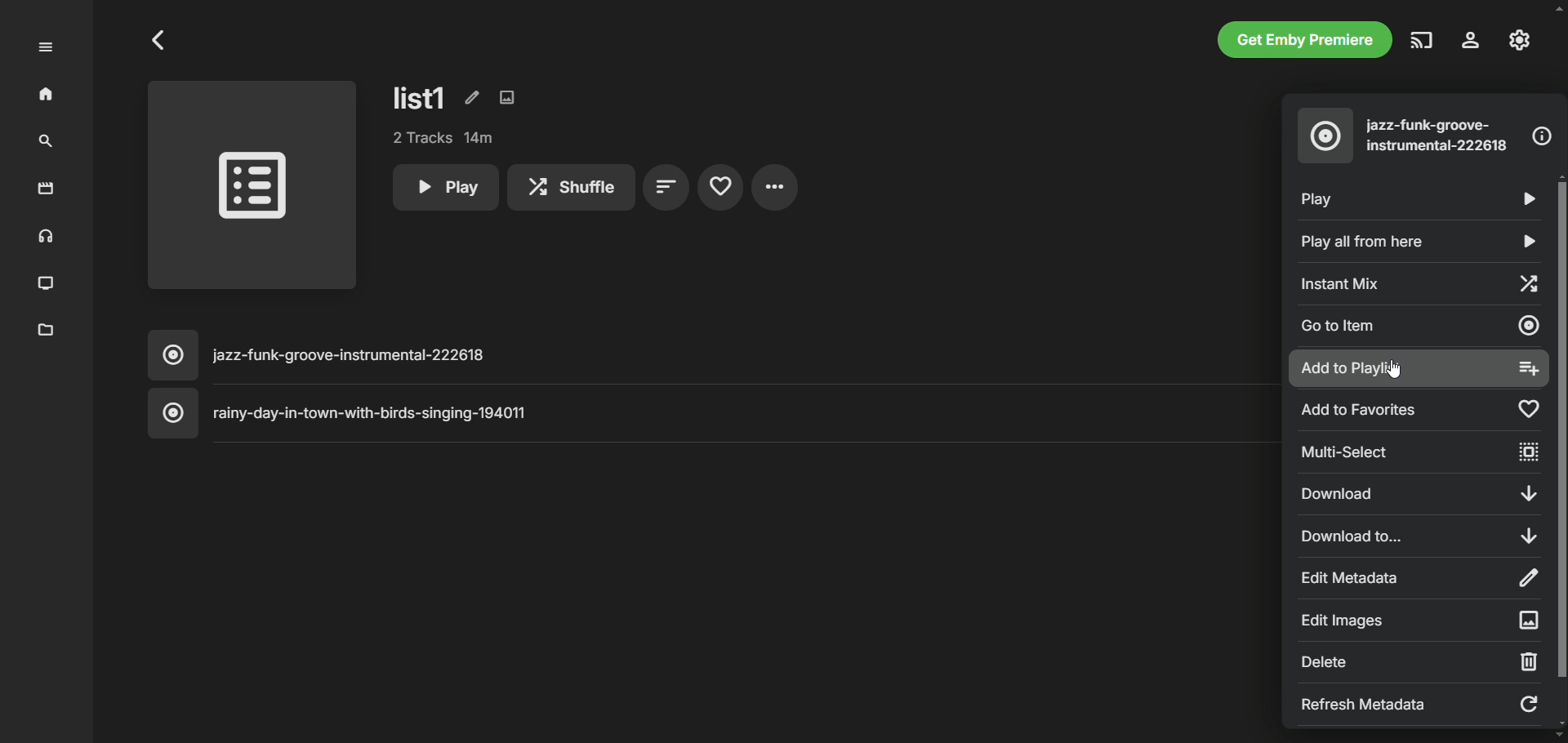  I want to click on add to favorites, so click(1420, 411).